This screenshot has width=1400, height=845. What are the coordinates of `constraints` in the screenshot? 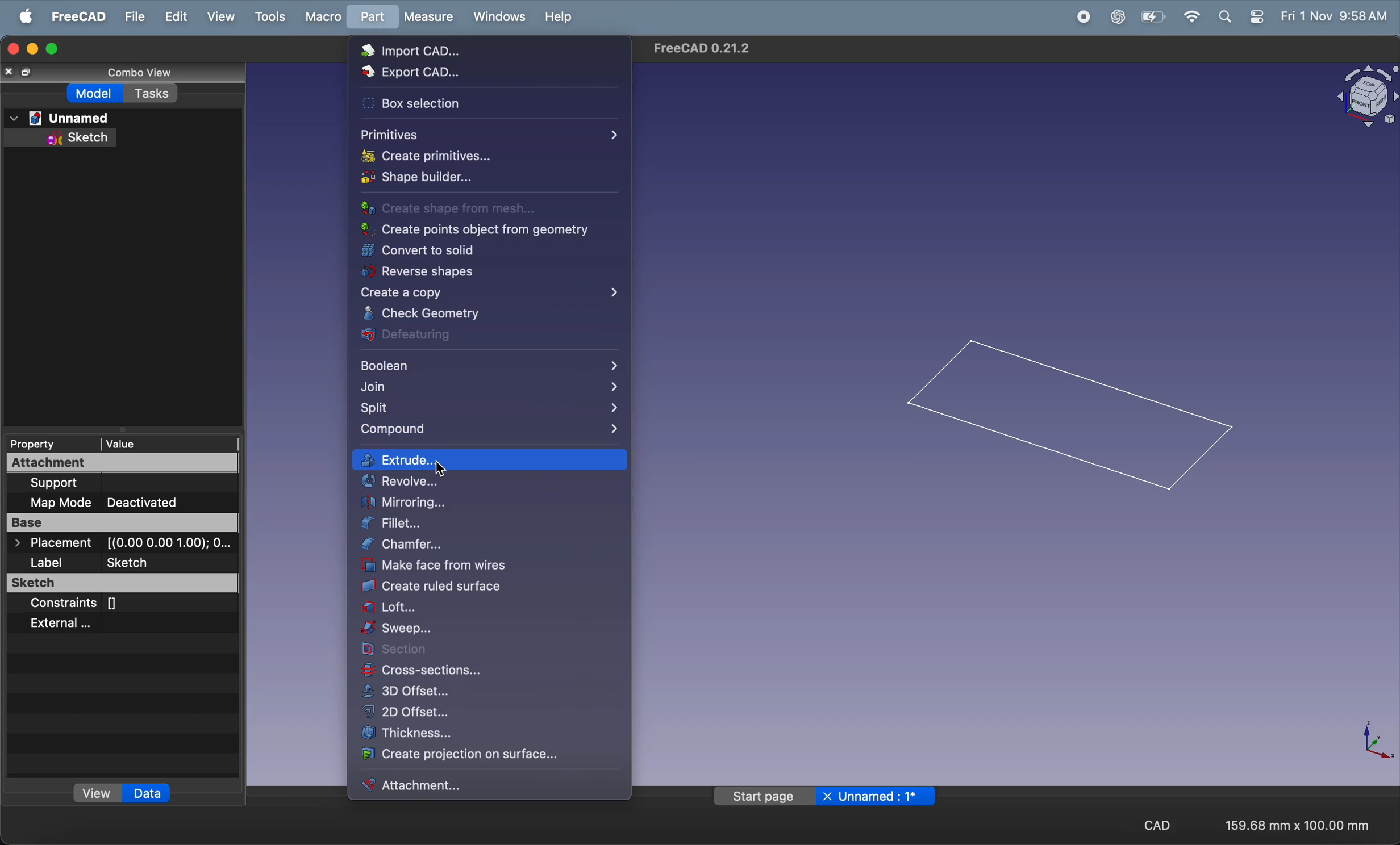 It's located at (86, 604).